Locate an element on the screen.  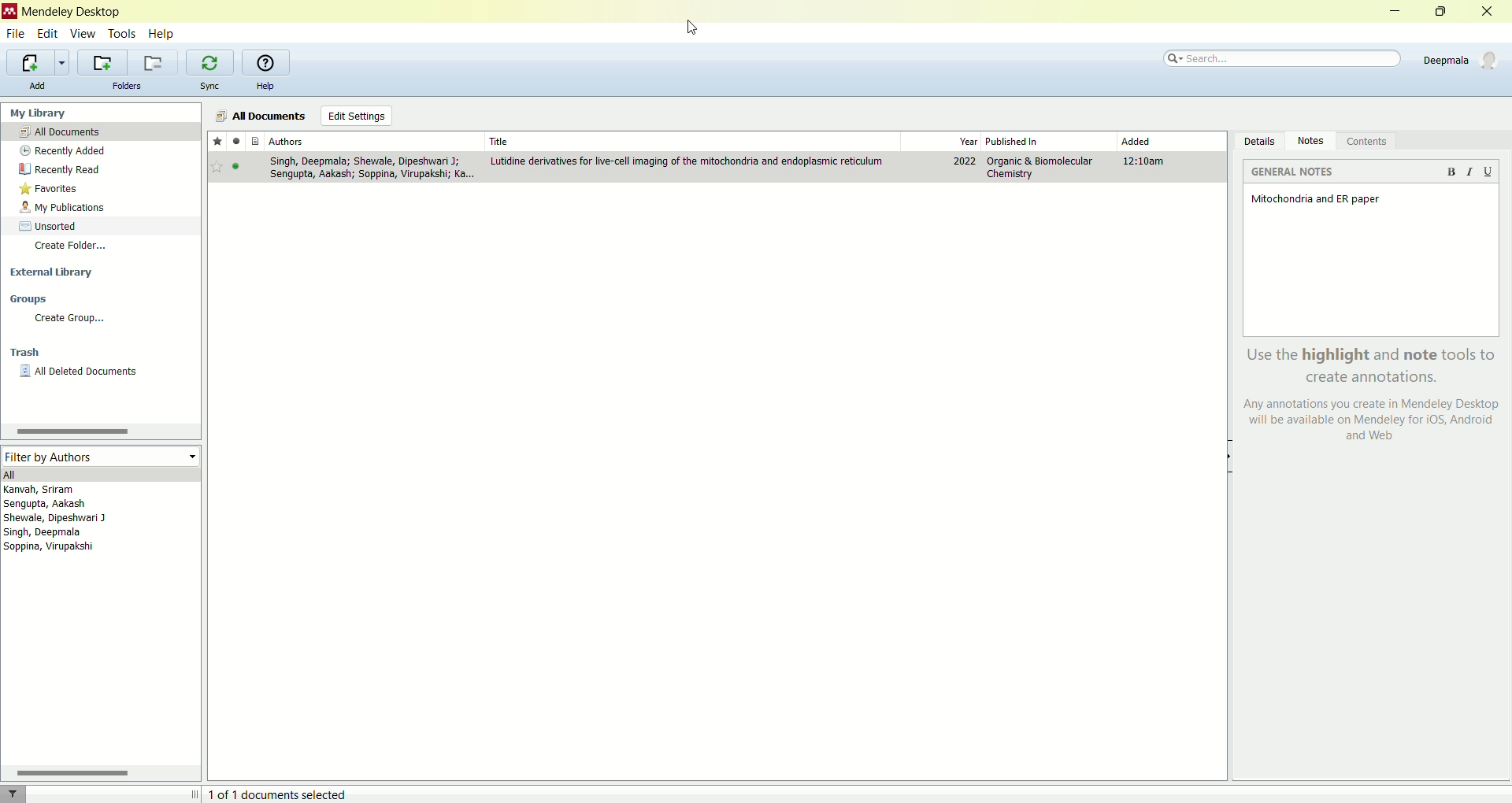
close is located at coordinates (1488, 12).